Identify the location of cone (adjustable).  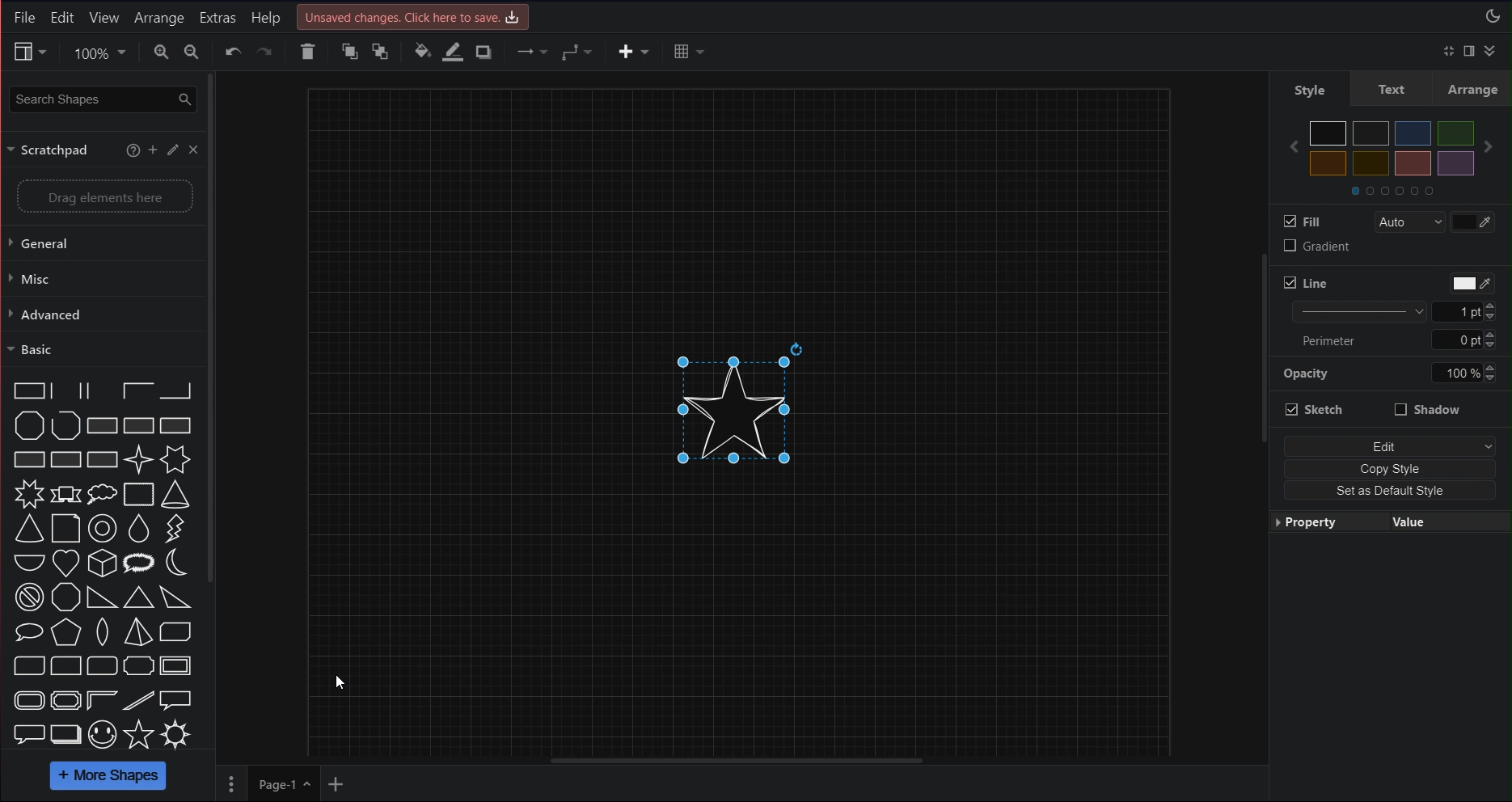
(30, 530).